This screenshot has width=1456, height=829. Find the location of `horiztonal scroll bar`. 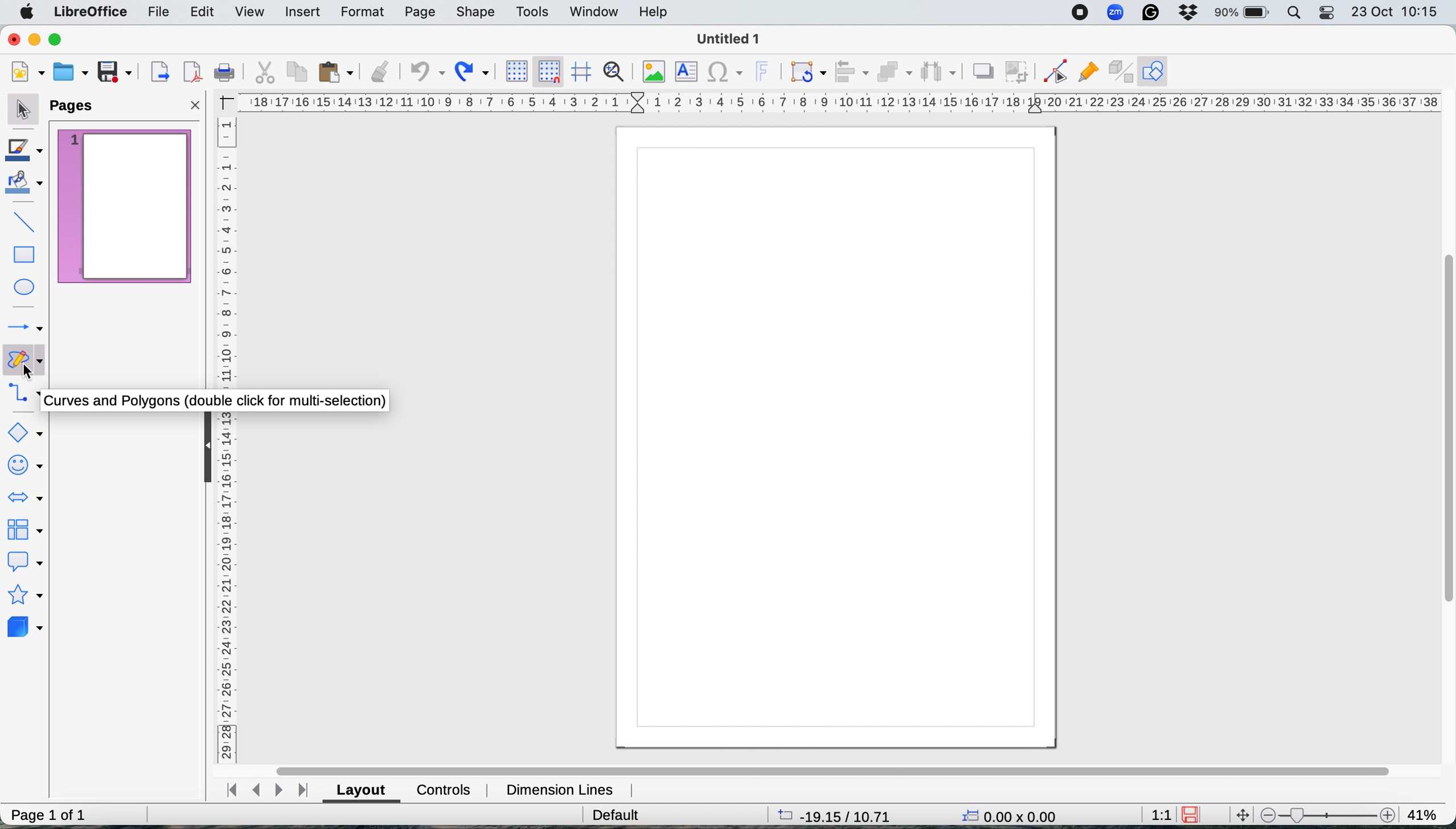

horiztonal scroll bar is located at coordinates (827, 766).